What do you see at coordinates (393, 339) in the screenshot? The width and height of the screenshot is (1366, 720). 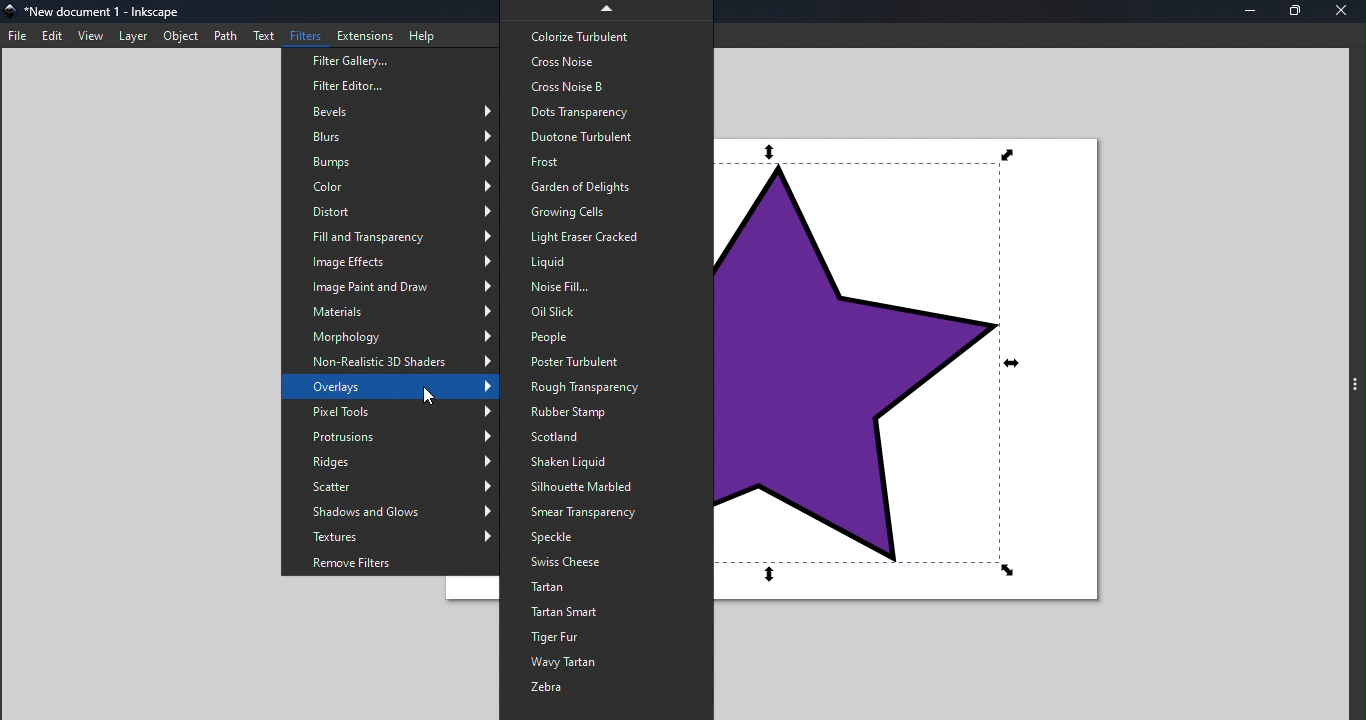 I see `Morphology` at bounding box center [393, 339].